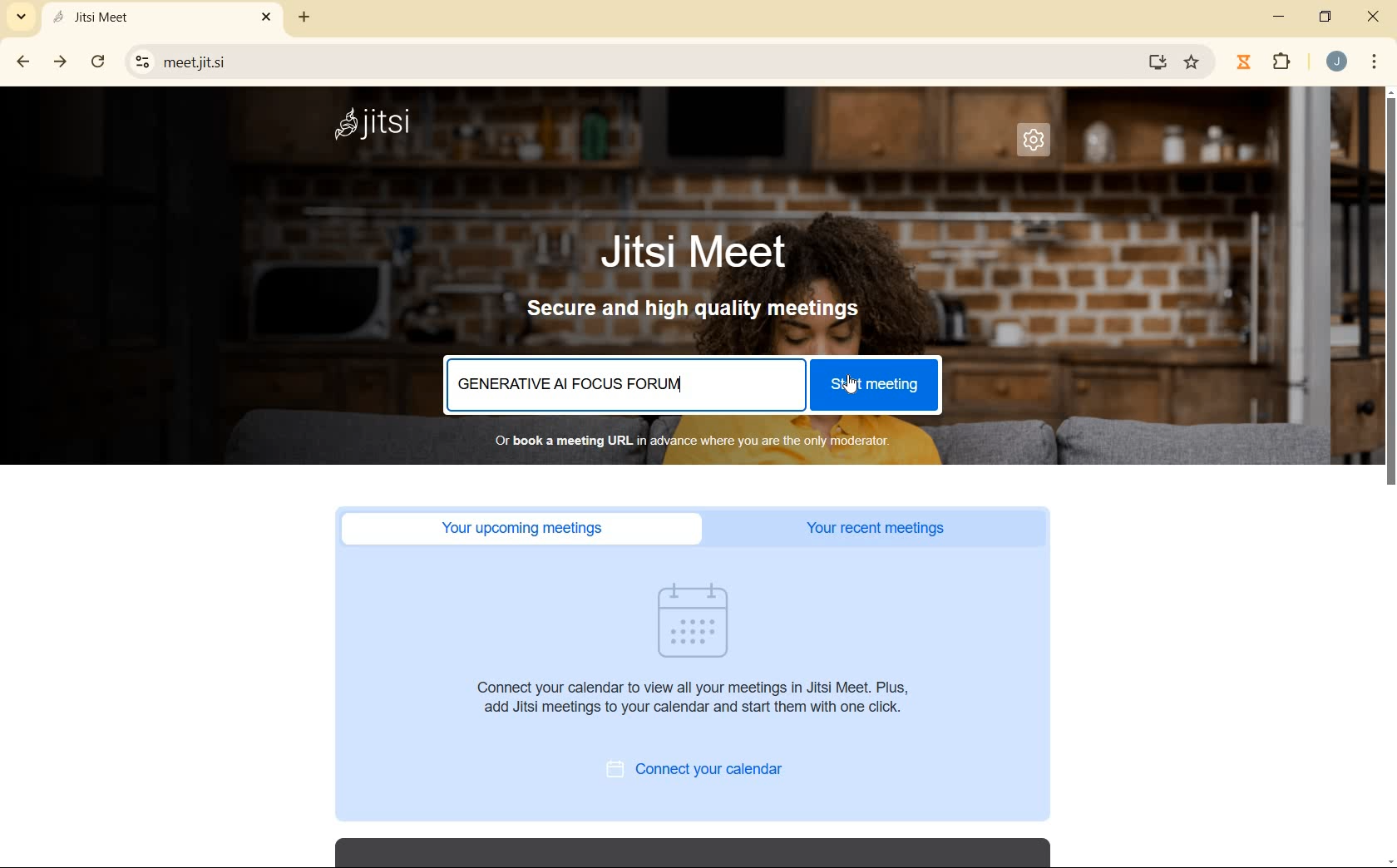 Image resolution: width=1397 pixels, height=868 pixels. I want to click on SEARCH TABS, so click(18, 17).